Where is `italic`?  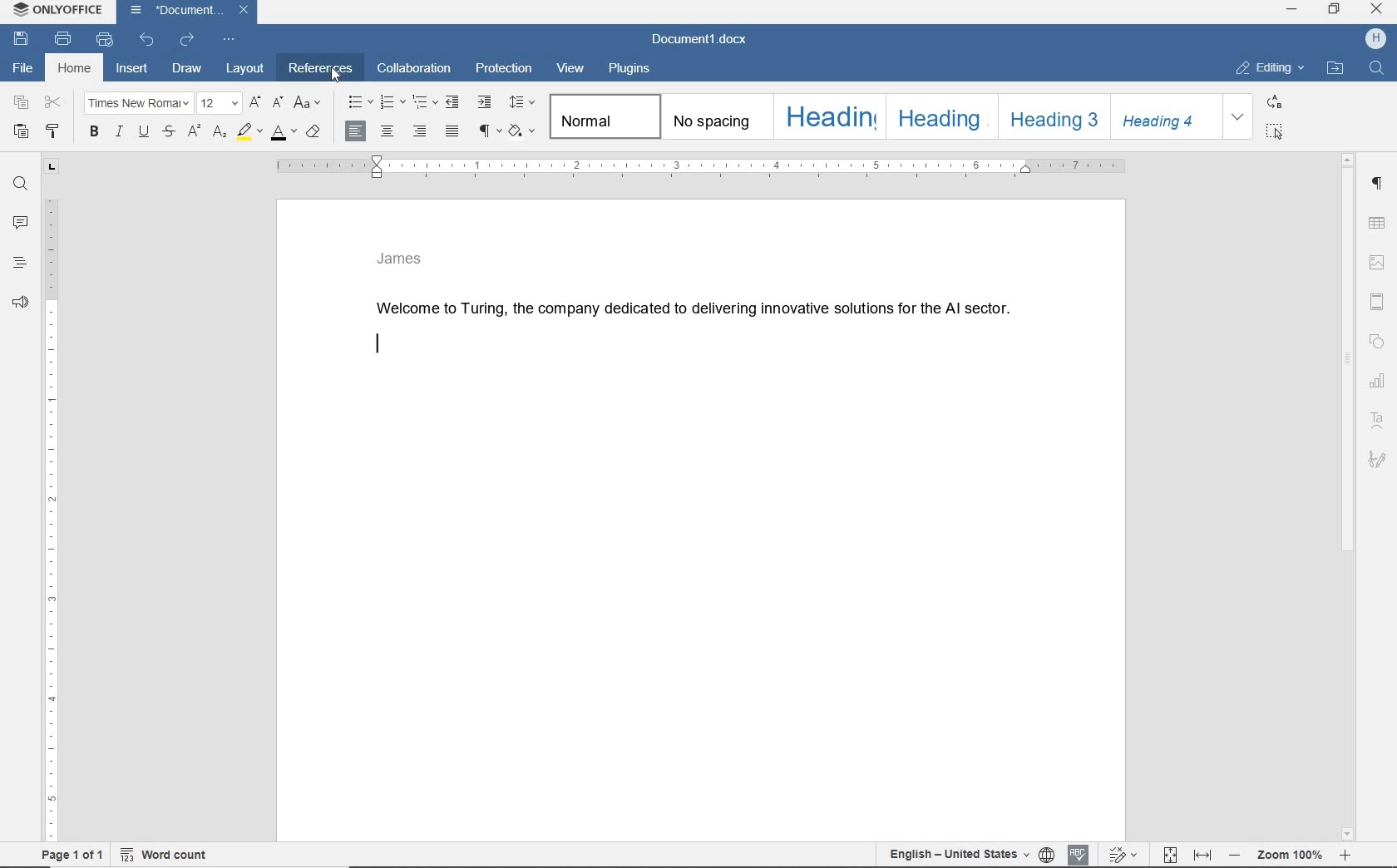 italic is located at coordinates (121, 132).